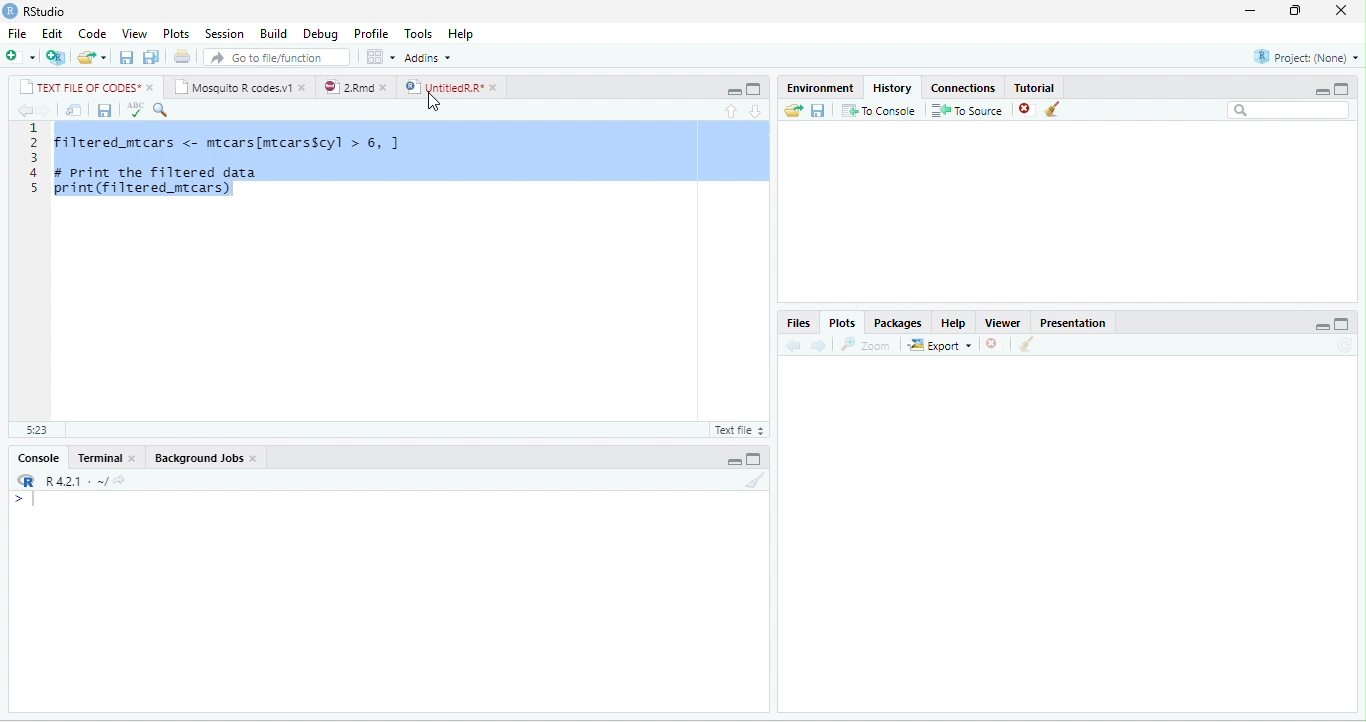 The width and height of the screenshot is (1366, 722). Describe the element at coordinates (273, 33) in the screenshot. I see `Build` at that location.